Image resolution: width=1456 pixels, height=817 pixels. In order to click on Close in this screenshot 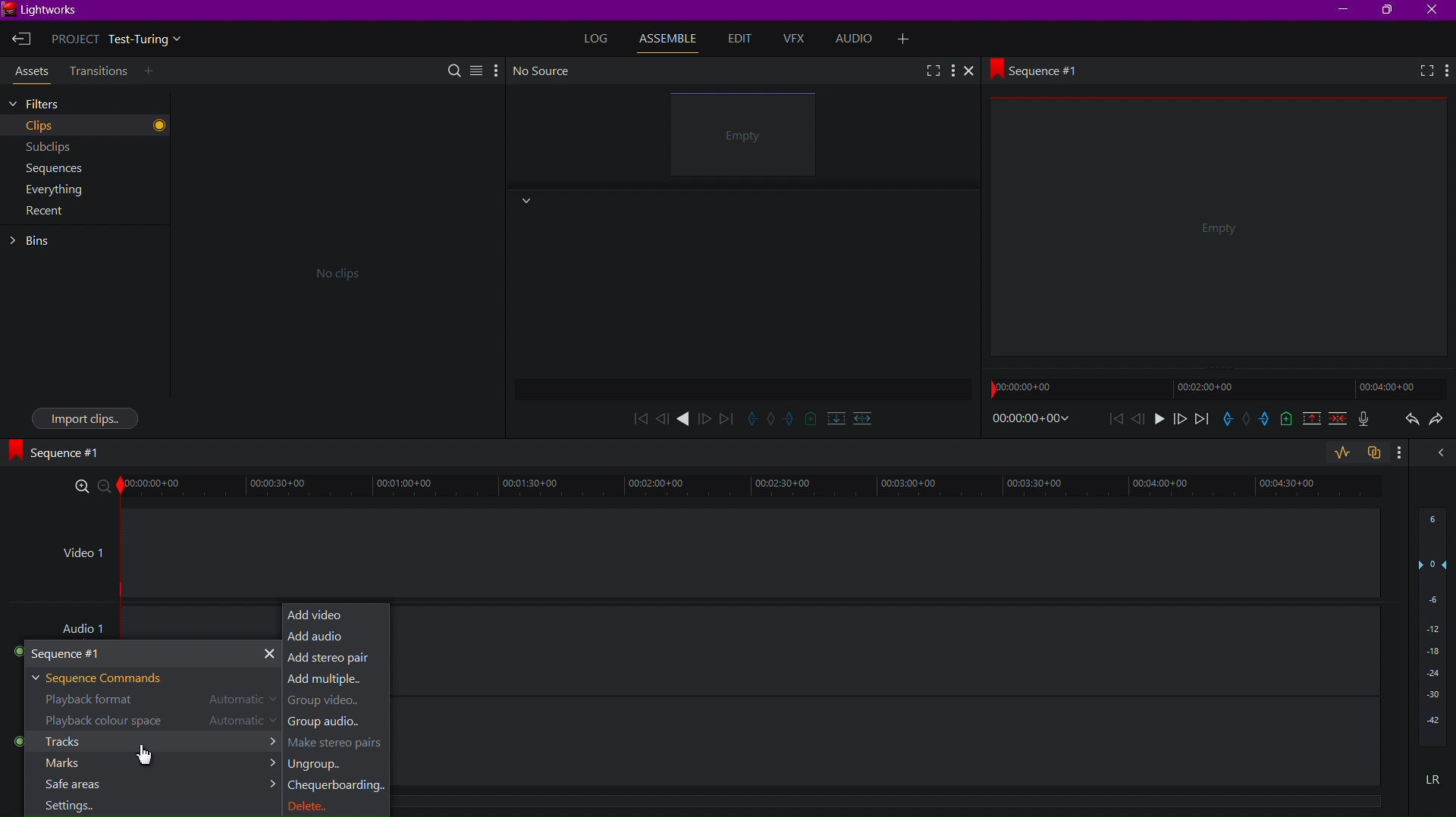, I will do `click(1435, 10)`.